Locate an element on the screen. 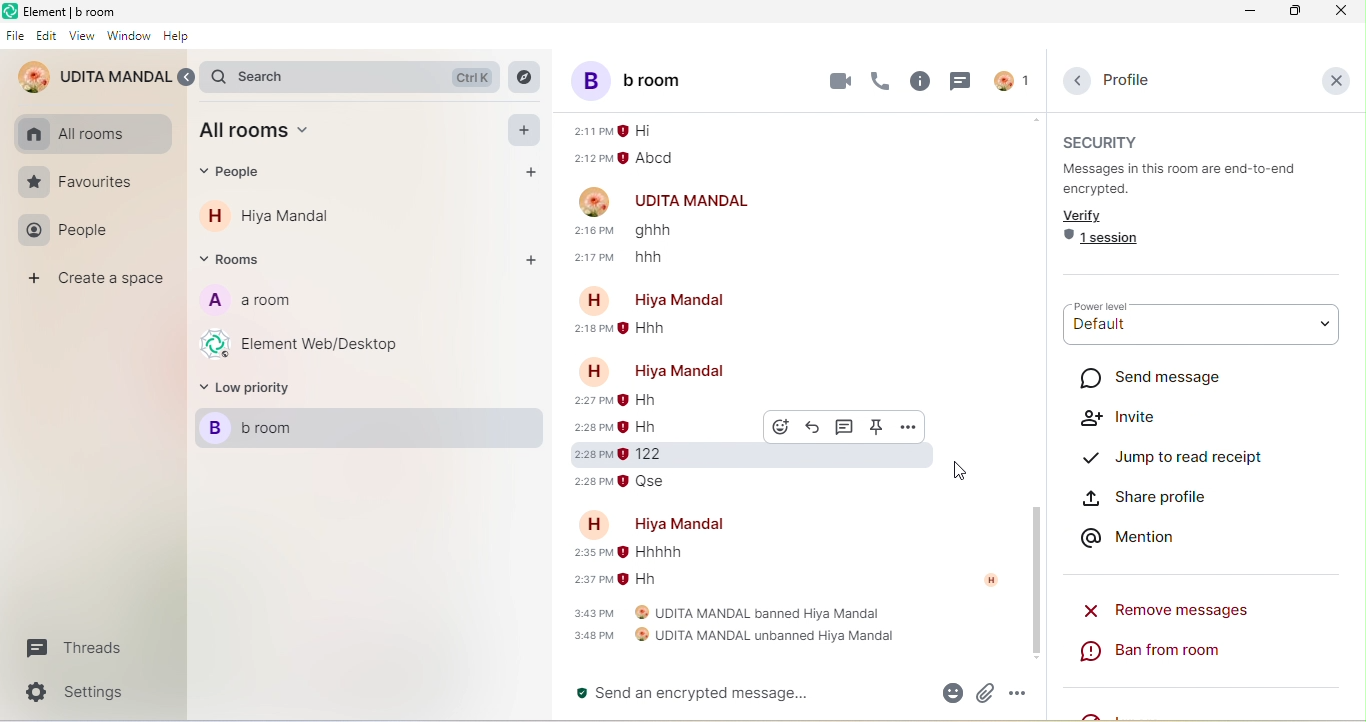 Image resolution: width=1366 pixels, height=722 pixels. udita mandal is located at coordinates (689, 202).